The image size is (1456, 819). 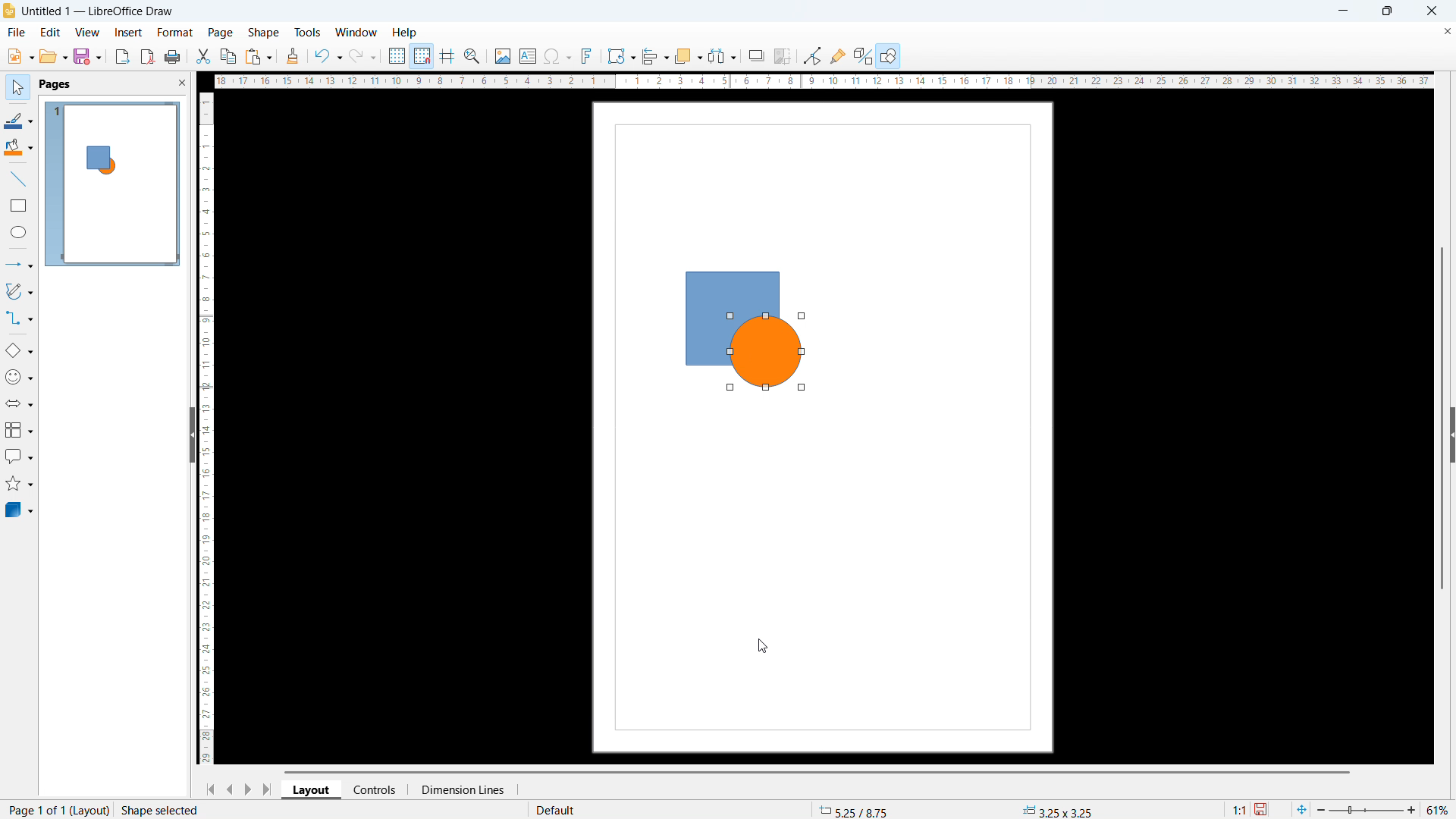 What do you see at coordinates (99, 12) in the screenshot?
I see `Document title ` at bounding box center [99, 12].